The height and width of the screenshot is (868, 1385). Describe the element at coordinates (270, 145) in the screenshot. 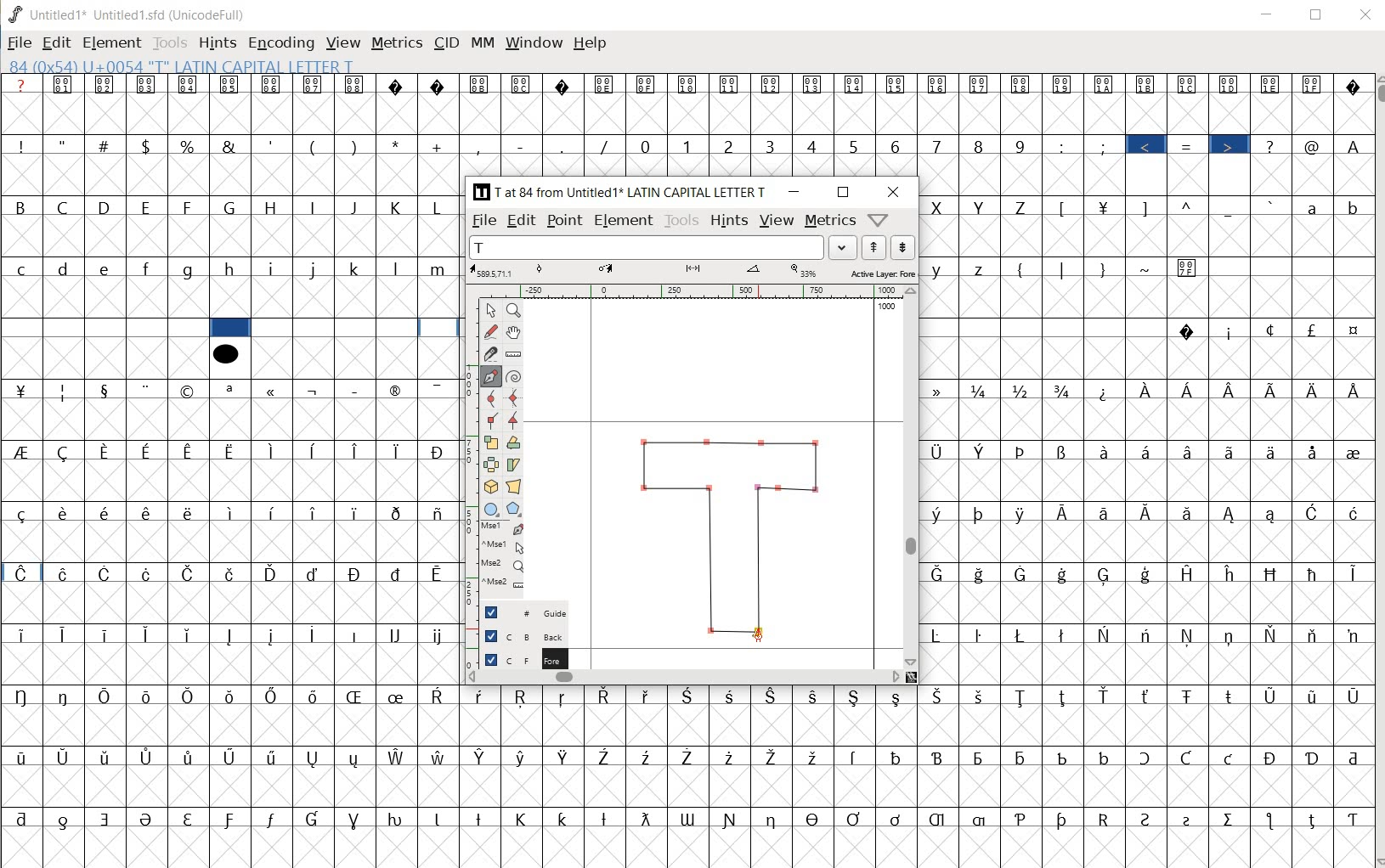

I see `'` at that location.